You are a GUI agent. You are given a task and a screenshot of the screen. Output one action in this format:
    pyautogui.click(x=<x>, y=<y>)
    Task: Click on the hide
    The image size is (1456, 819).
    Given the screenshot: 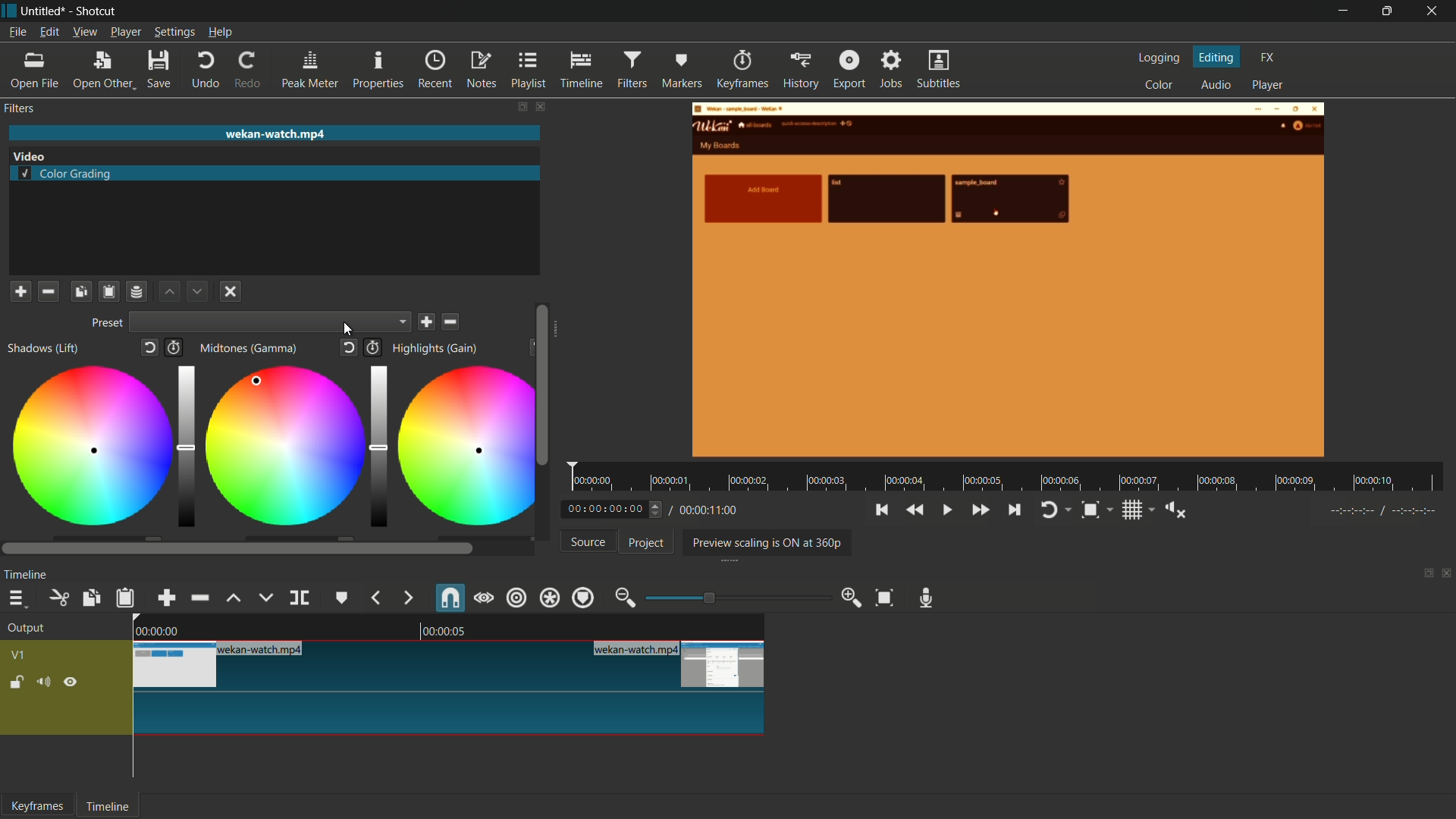 What is the action you would take?
    pyautogui.click(x=72, y=684)
    